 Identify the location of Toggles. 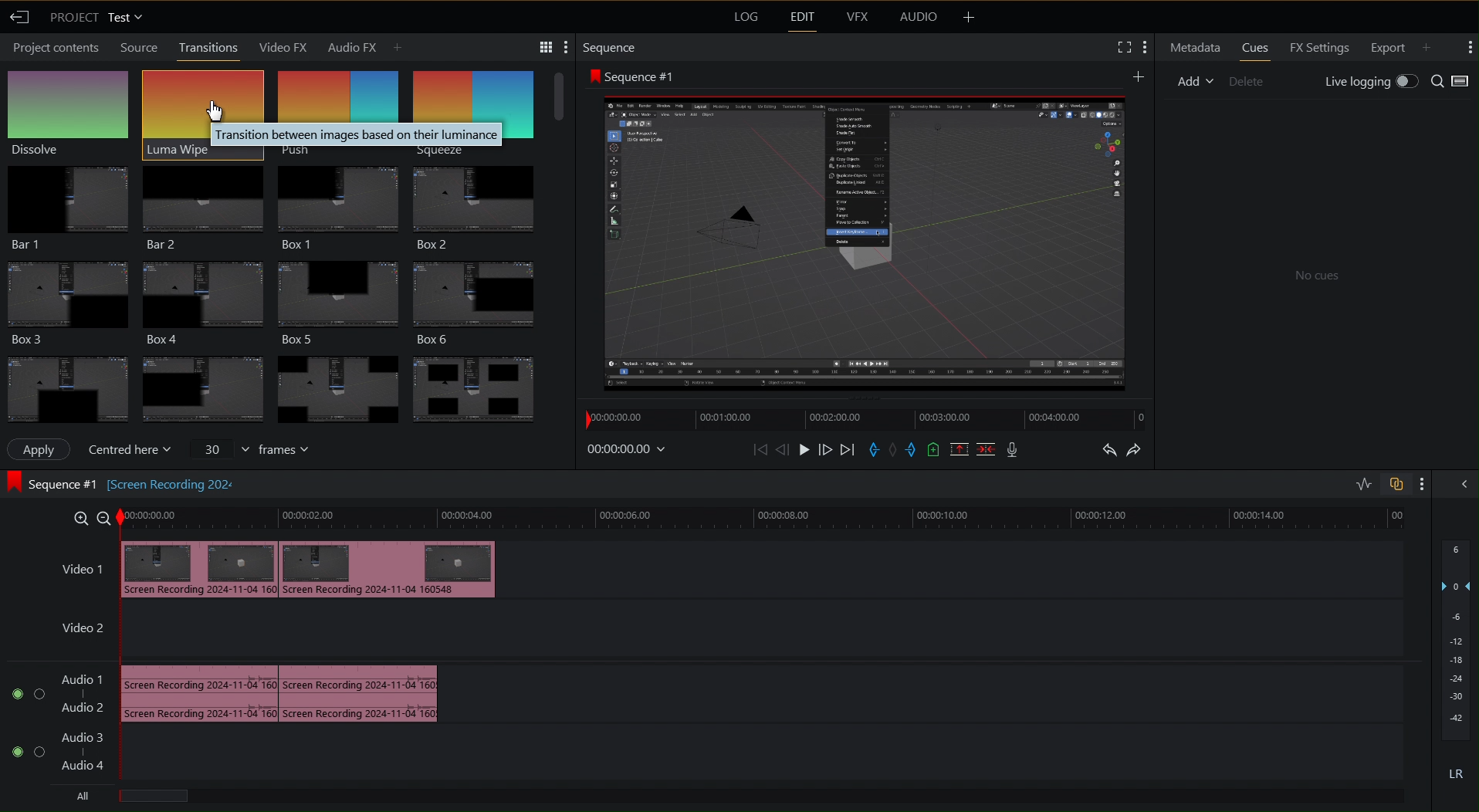
(1377, 484).